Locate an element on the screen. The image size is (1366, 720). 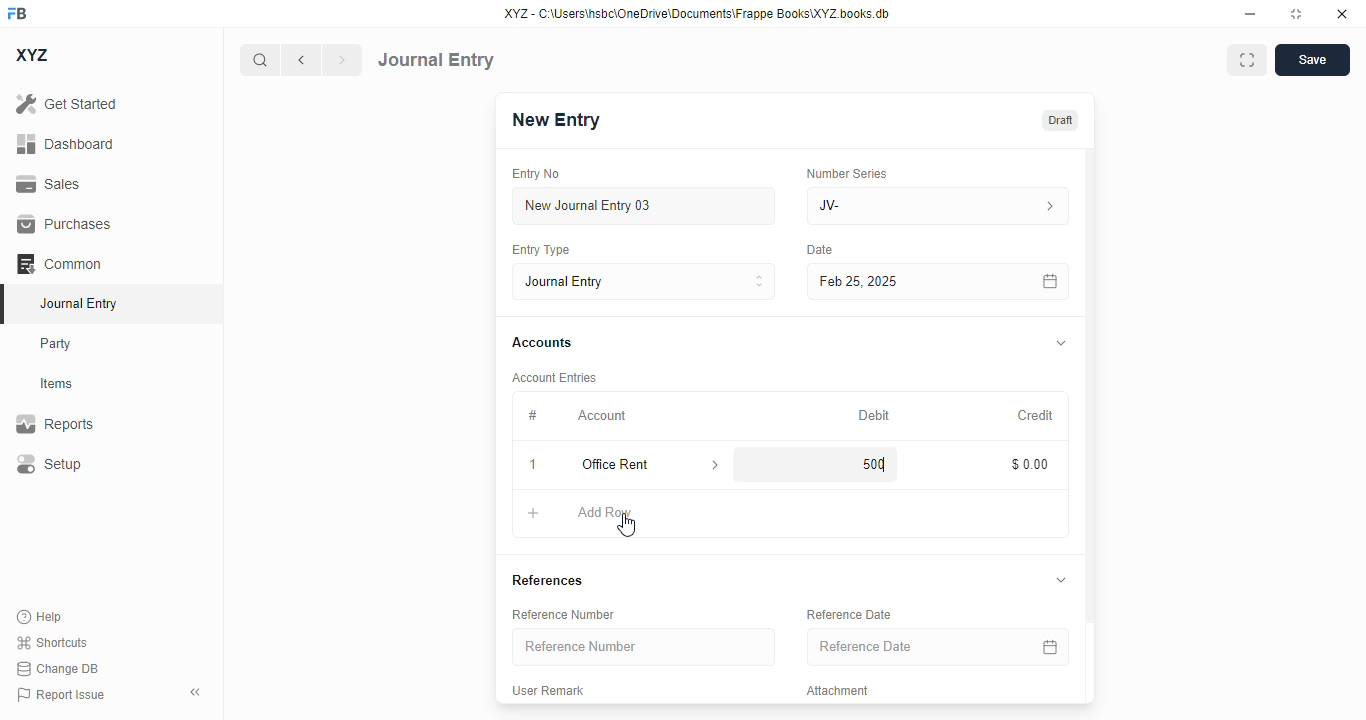
toggle expand/collapse is located at coordinates (1062, 343).